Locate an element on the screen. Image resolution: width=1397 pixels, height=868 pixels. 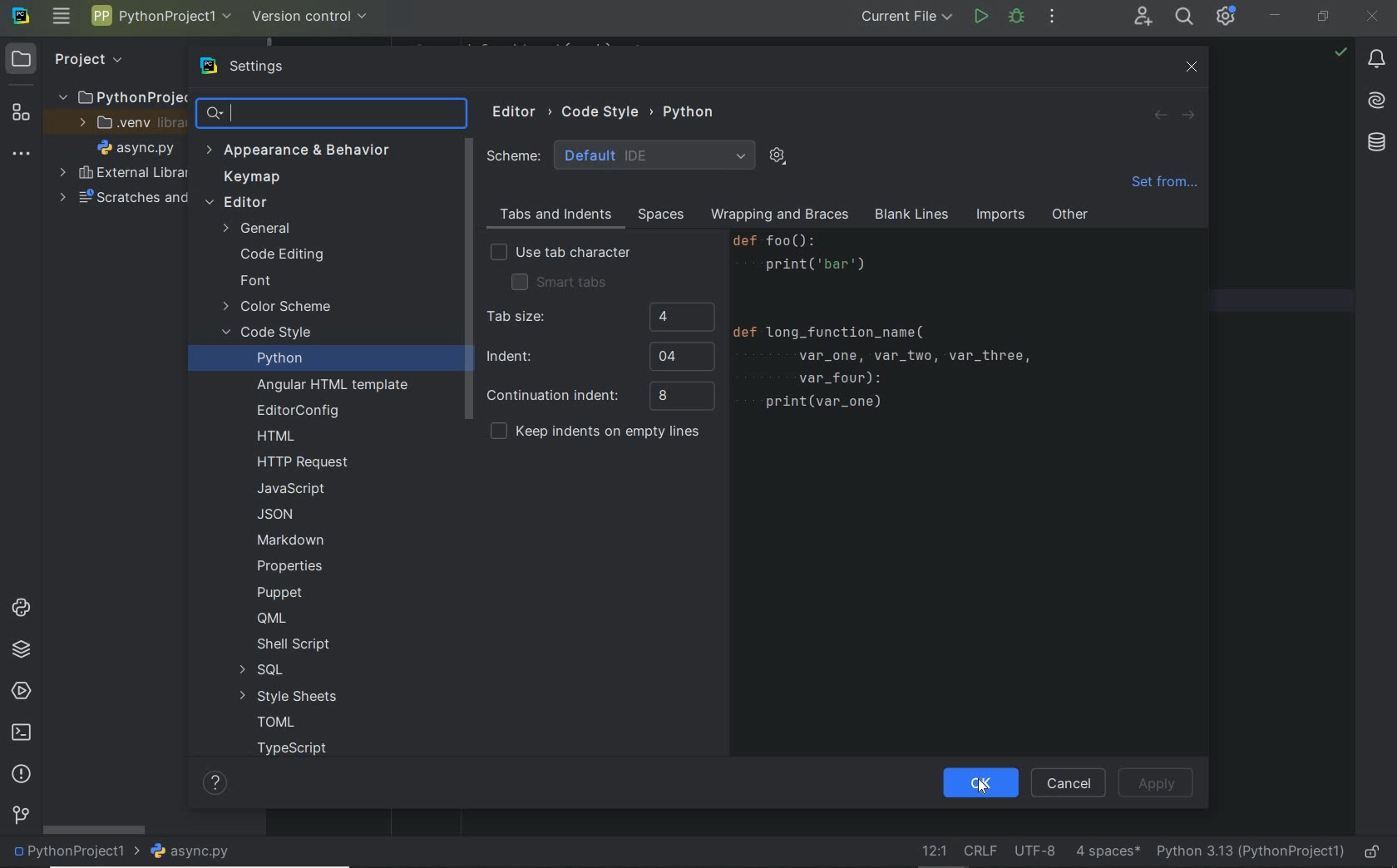
SCHEME is located at coordinates (622, 155).